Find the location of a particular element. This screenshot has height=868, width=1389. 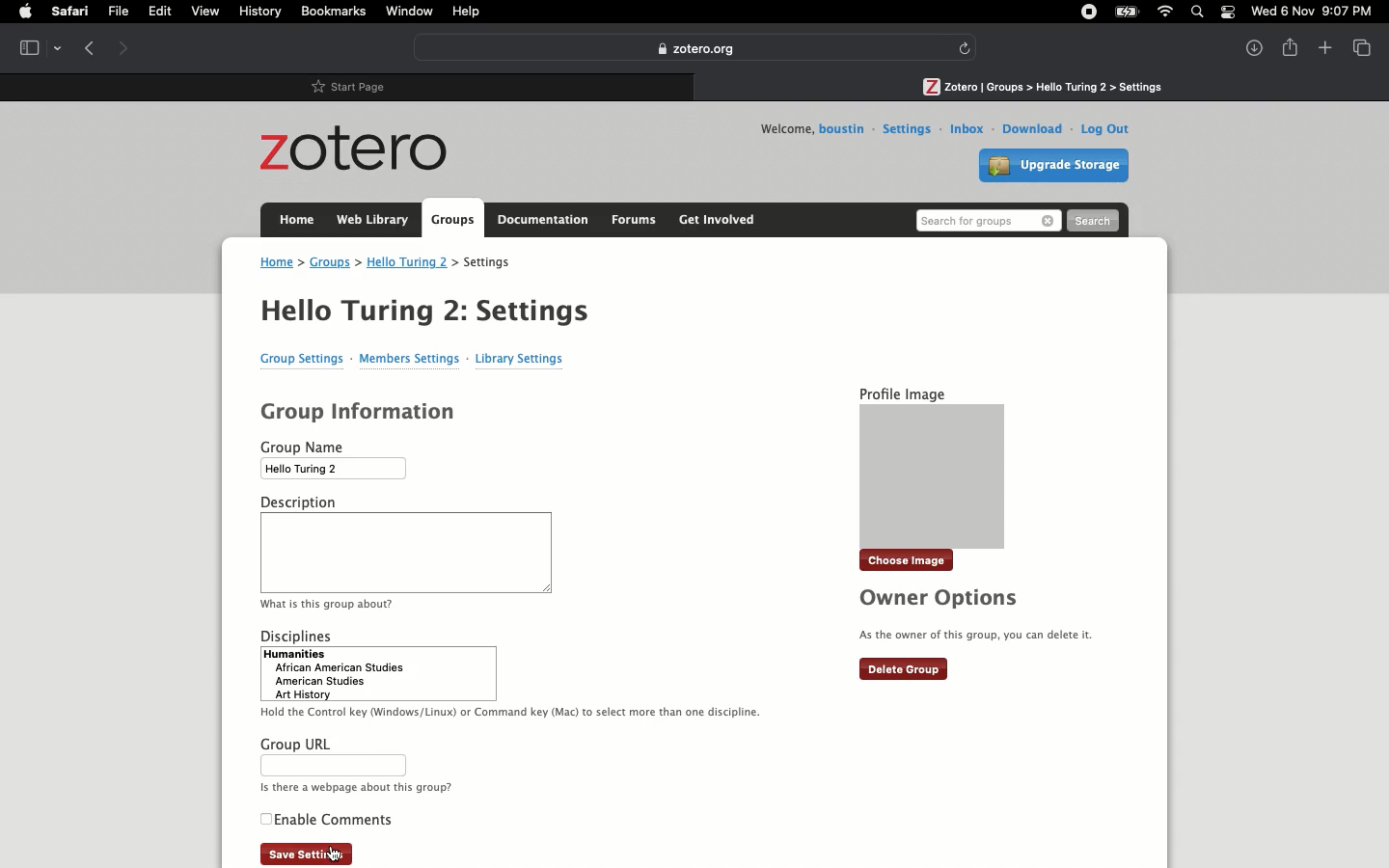

Profile image is located at coordinates (928, 466).